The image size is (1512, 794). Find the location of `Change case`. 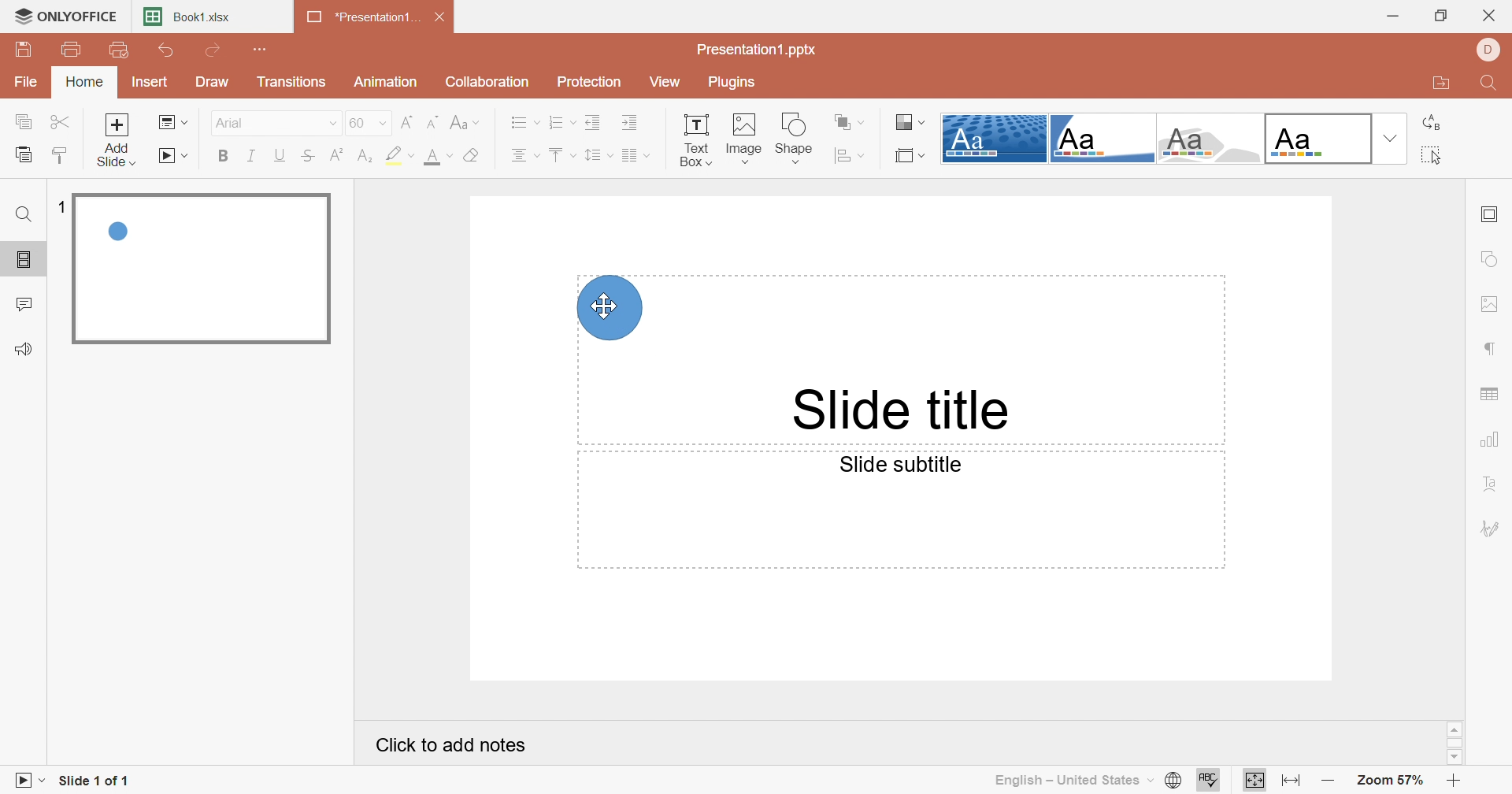

Change case is located at coordinates (465, 121).